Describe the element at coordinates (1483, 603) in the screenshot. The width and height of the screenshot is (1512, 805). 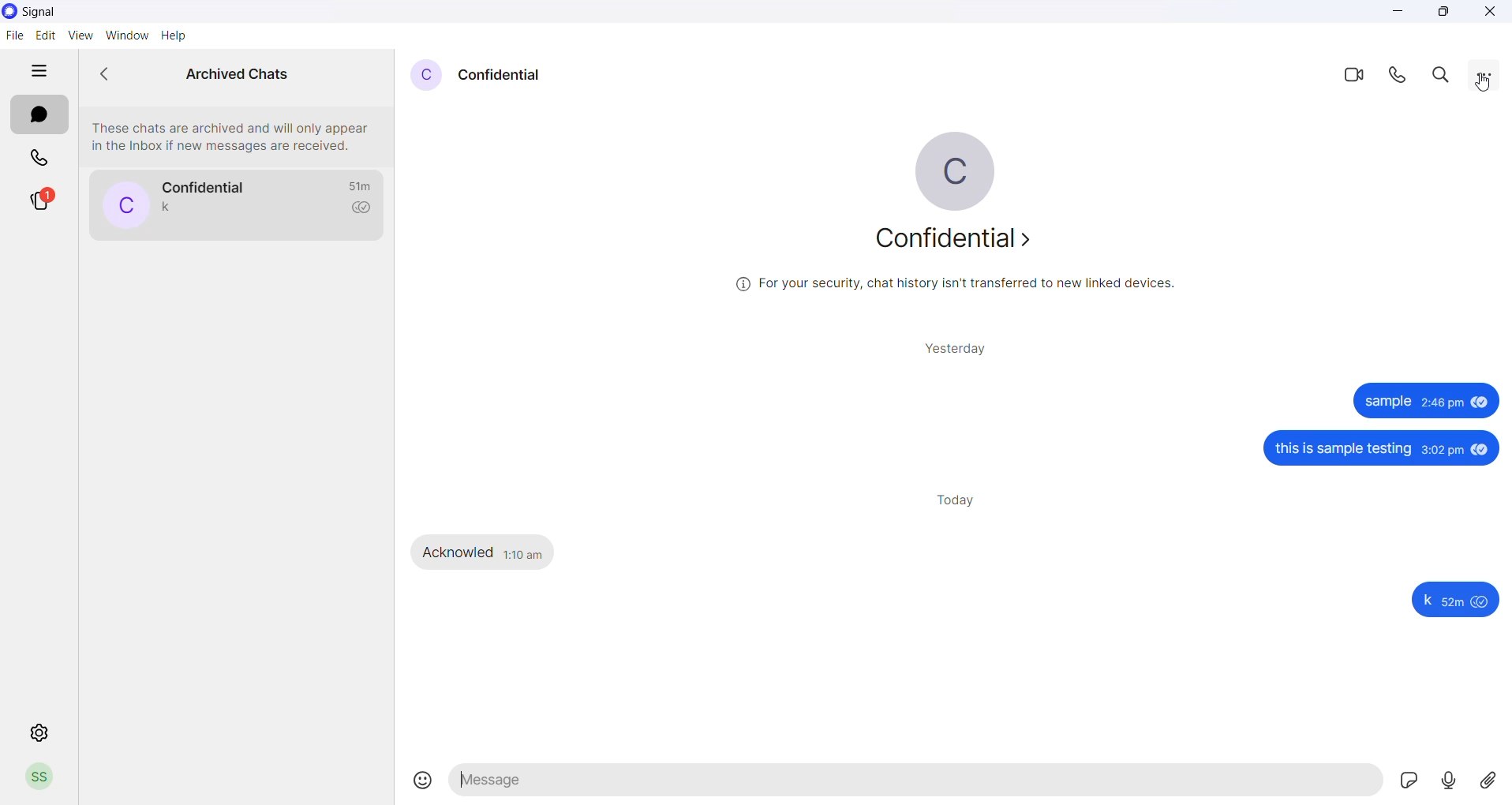
I see `seen` at that location.